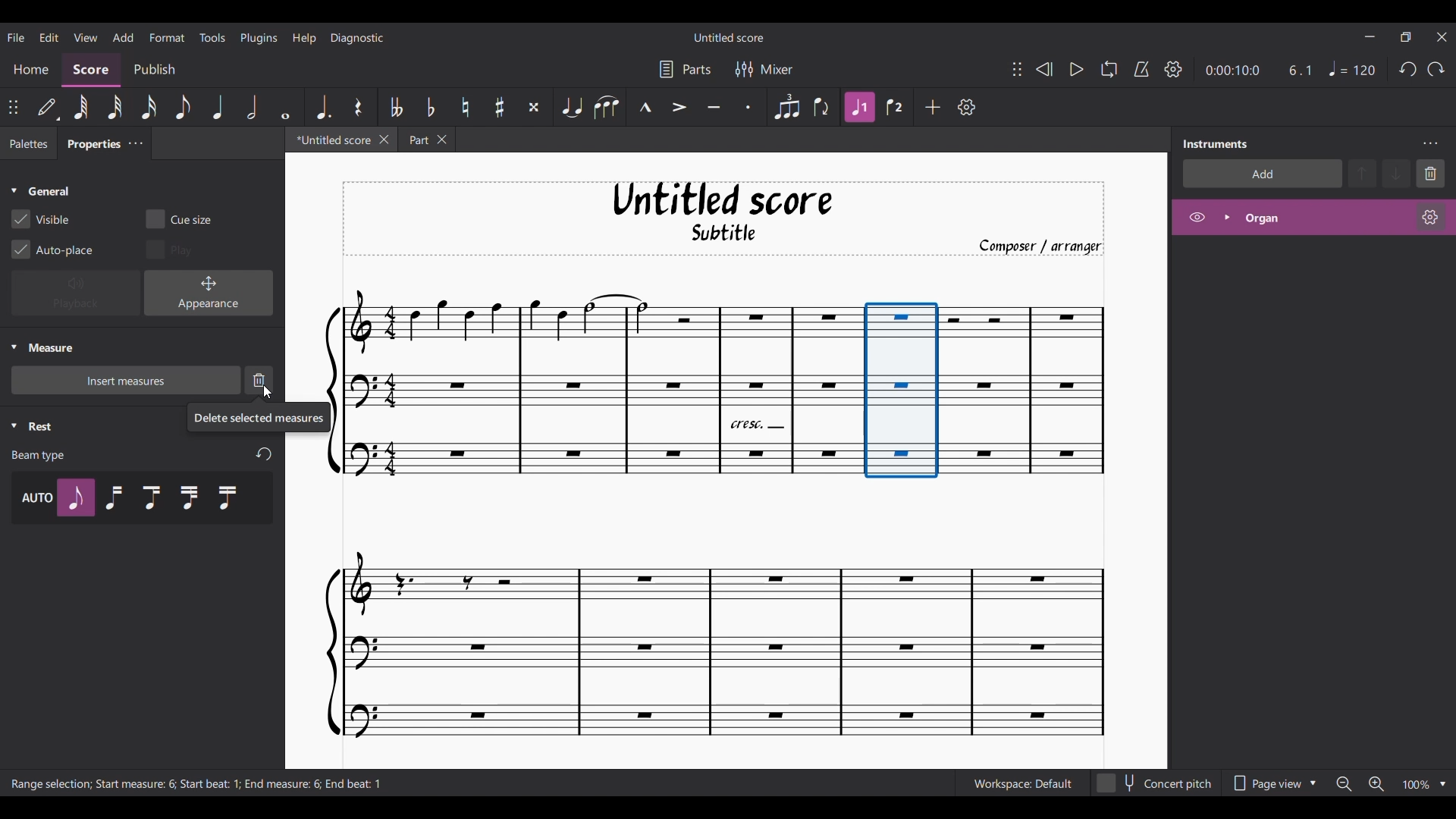 This screenshot has height=819, width=1456. Describe the element at coordinates (1153, 783) in the screenshot. I see `Toggle for Concert pitch` at that location.